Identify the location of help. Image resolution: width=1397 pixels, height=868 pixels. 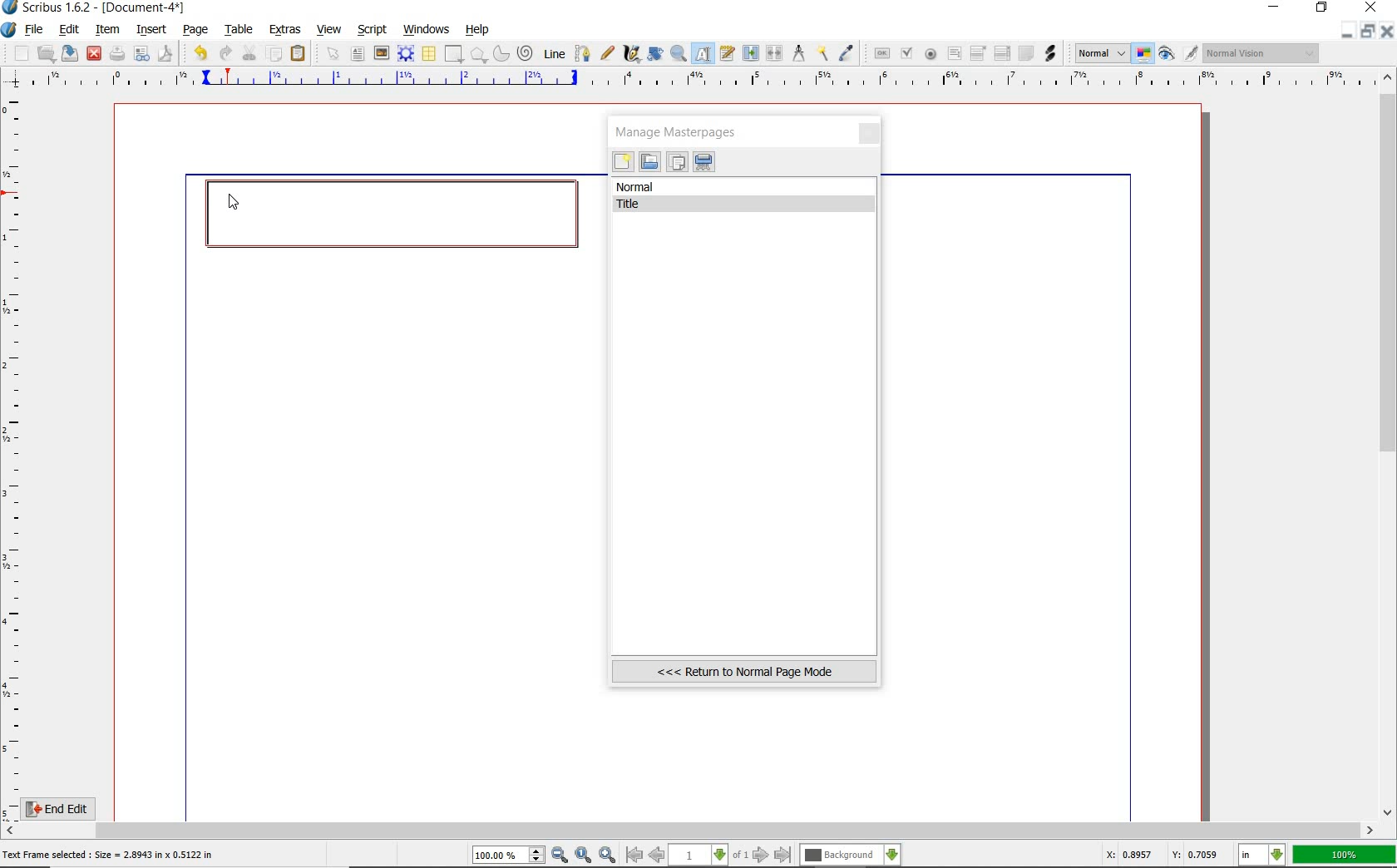
(478, 30).